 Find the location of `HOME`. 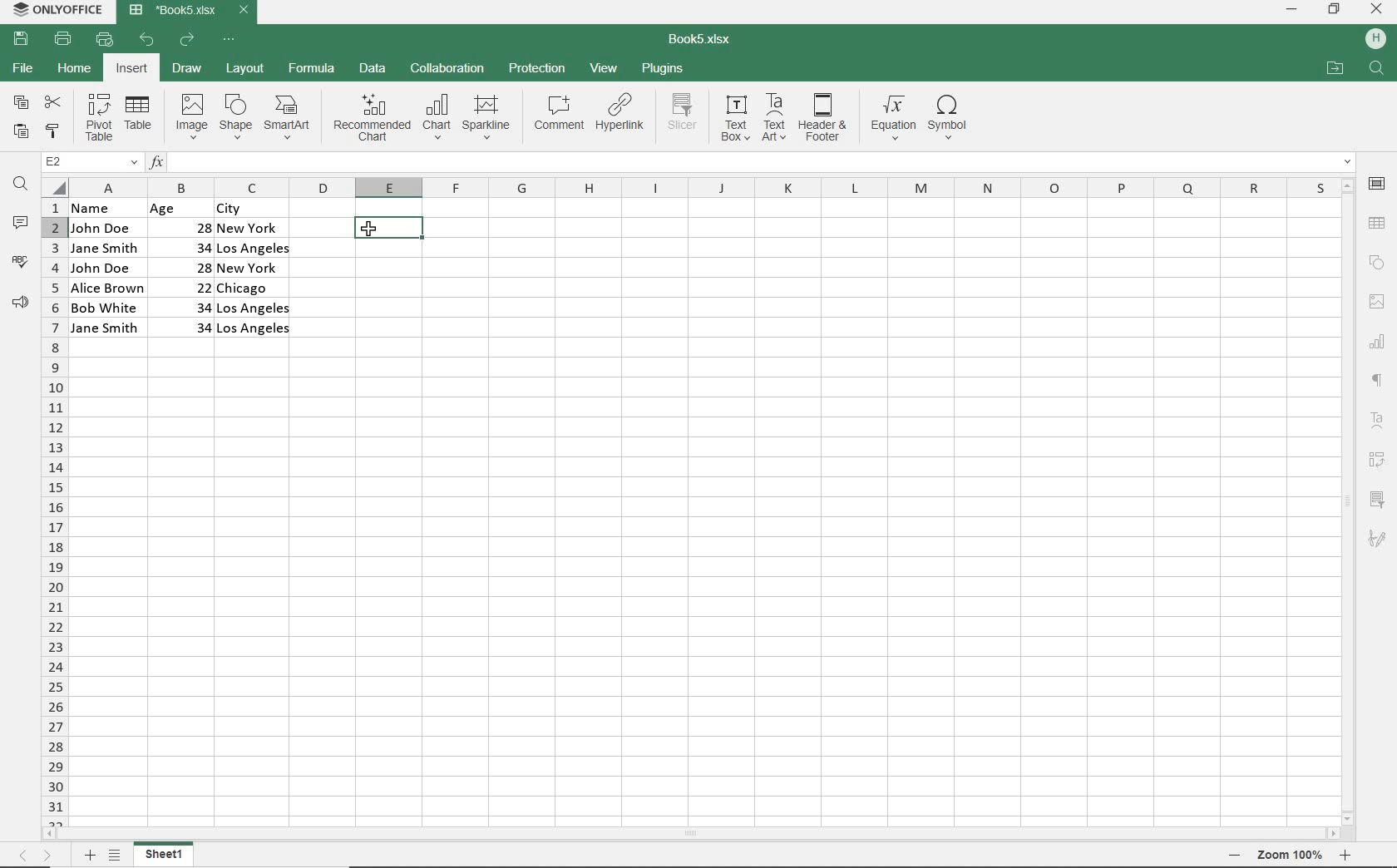

HOME is located at coordinates (73, 67).